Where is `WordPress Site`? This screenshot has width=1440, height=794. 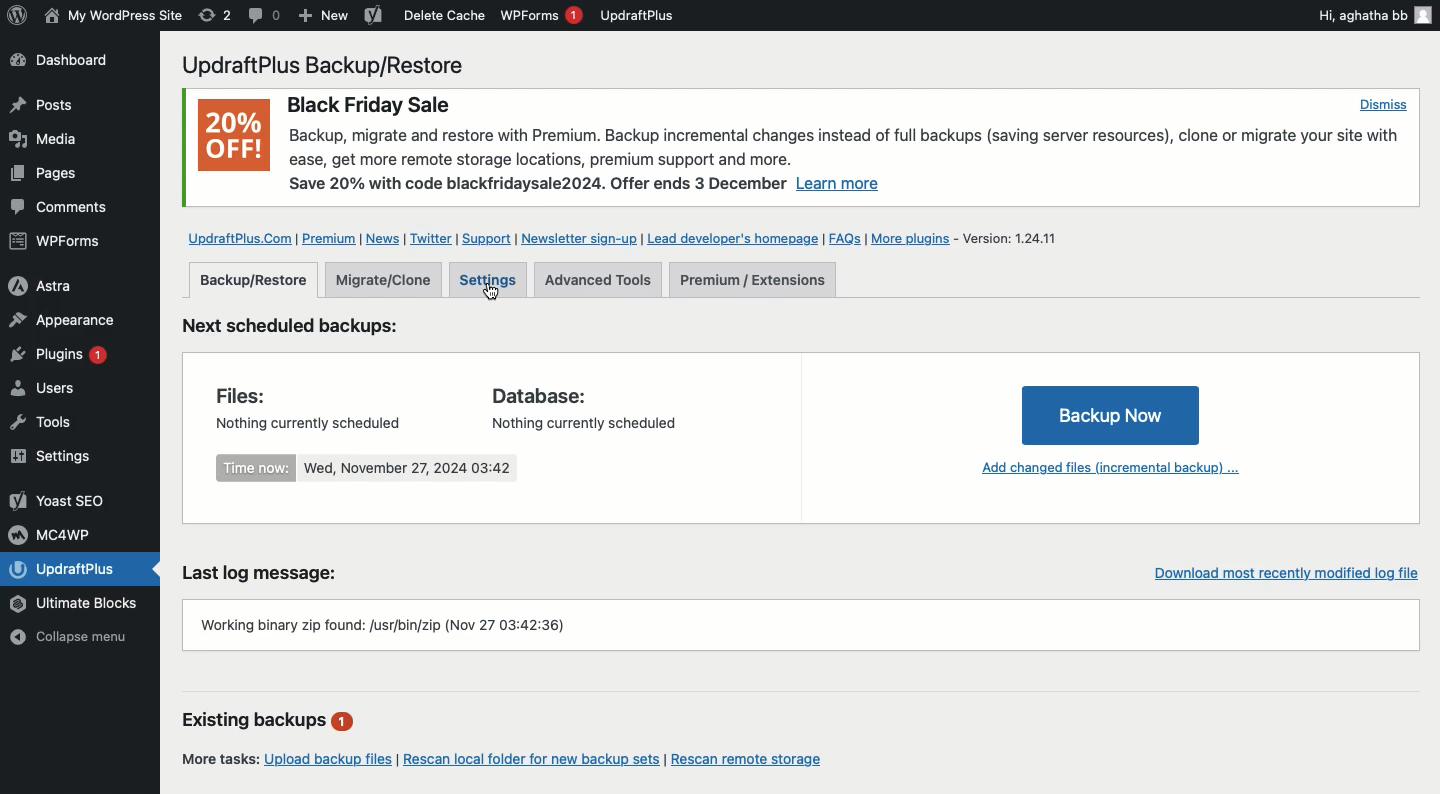
WordPress Site is located at coordinates (111, 16).